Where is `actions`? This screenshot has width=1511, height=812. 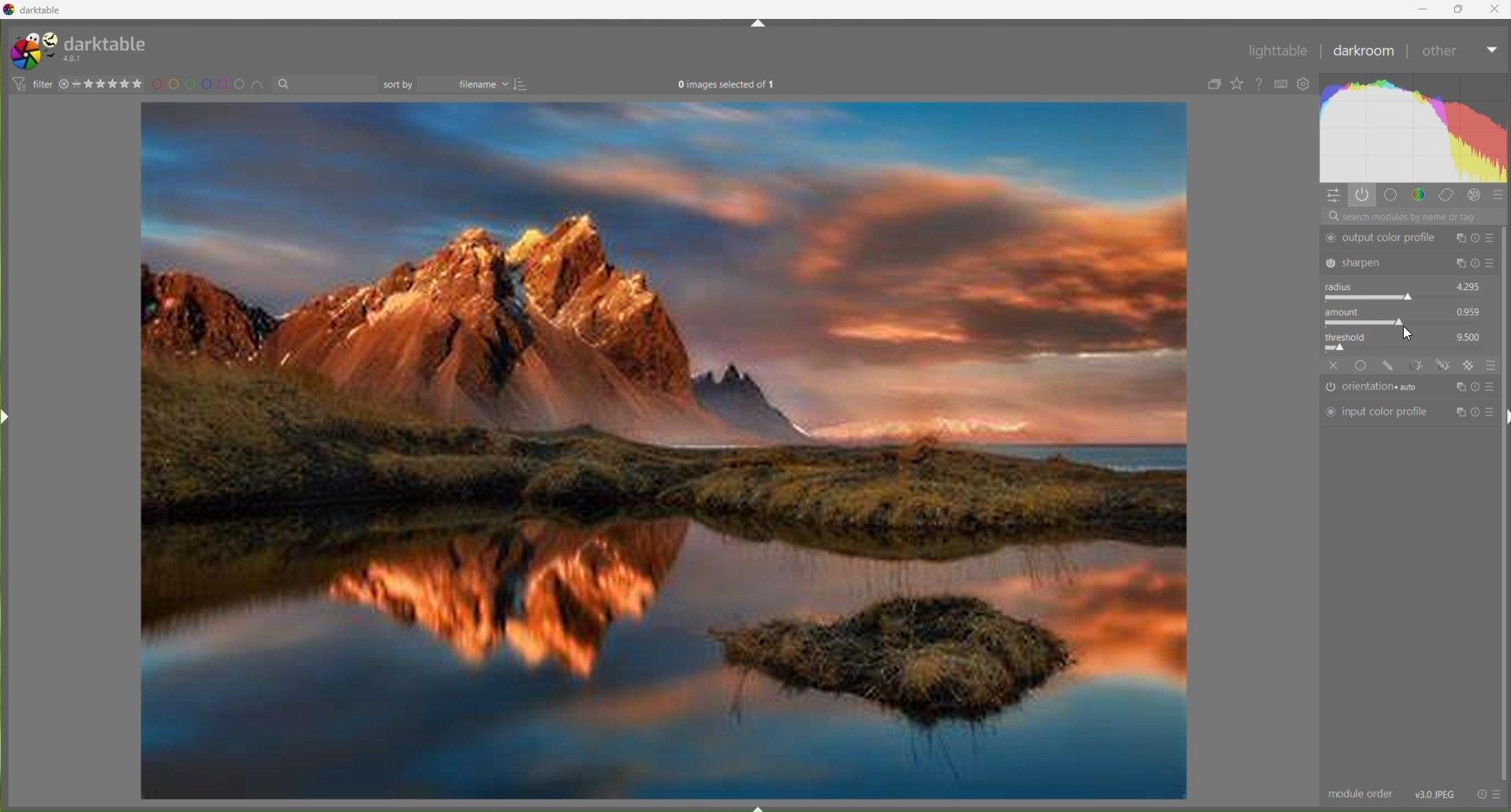
actions is located at coordinates (1489, 794).